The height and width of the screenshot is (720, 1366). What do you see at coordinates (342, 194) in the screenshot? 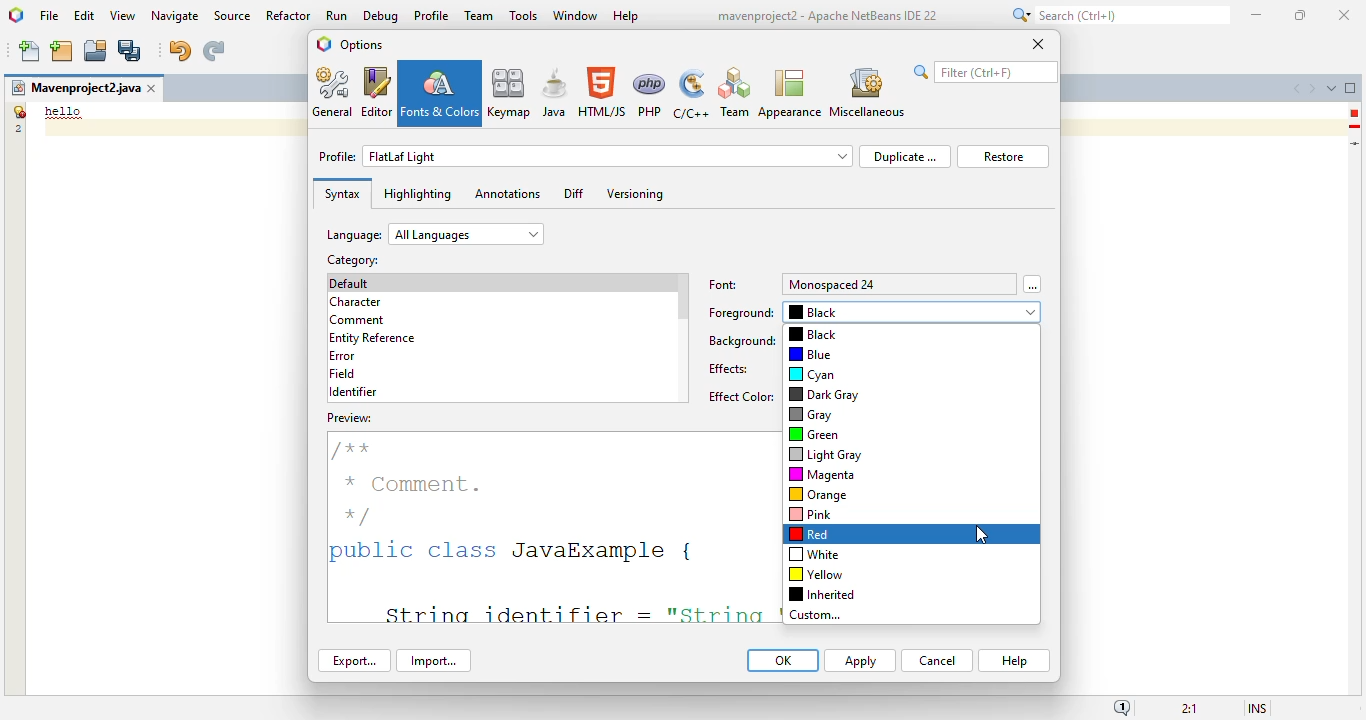
I see `syntax` at bounding box center [342, 194].